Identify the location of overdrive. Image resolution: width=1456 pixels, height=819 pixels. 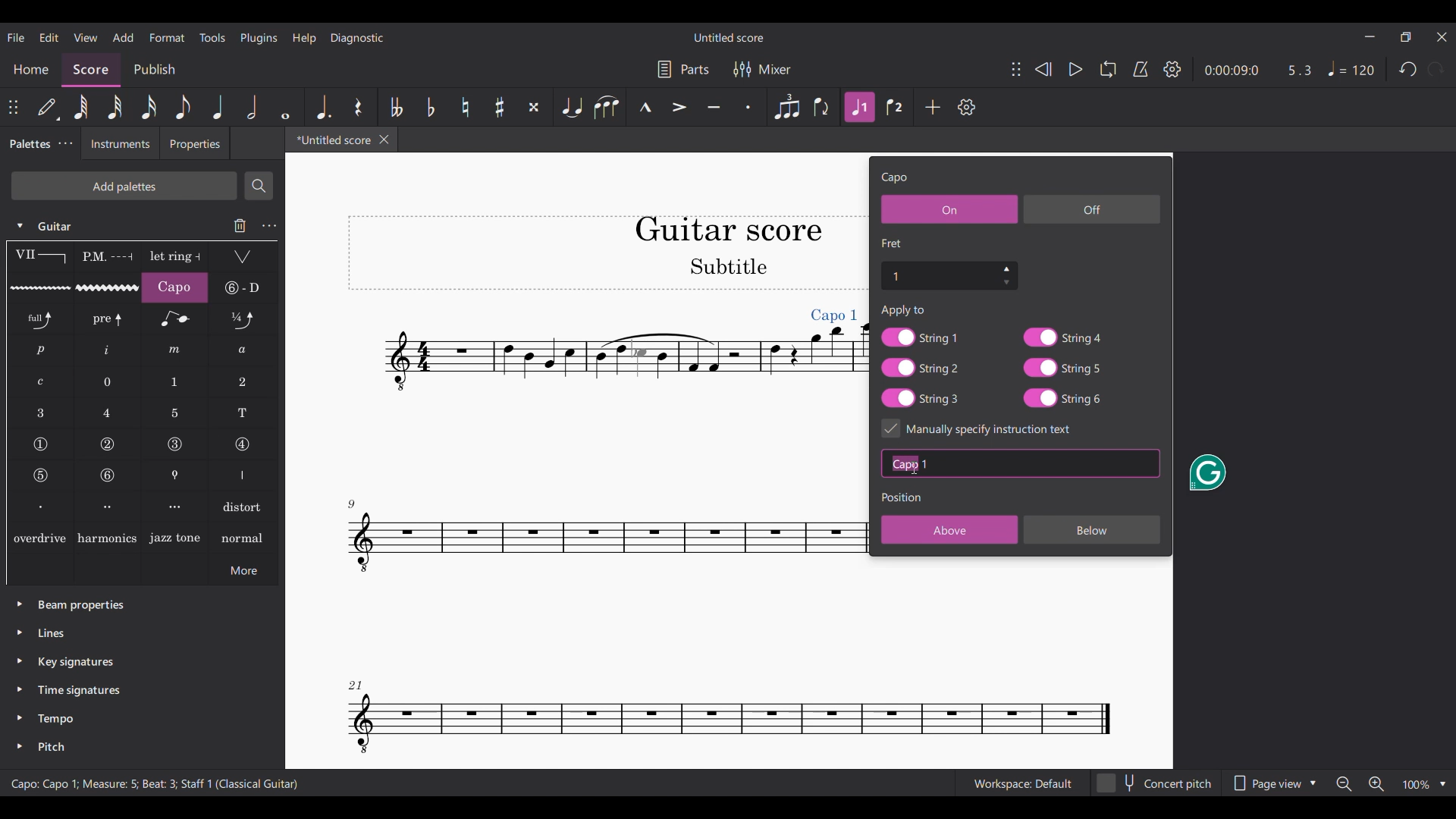
(39, 537).